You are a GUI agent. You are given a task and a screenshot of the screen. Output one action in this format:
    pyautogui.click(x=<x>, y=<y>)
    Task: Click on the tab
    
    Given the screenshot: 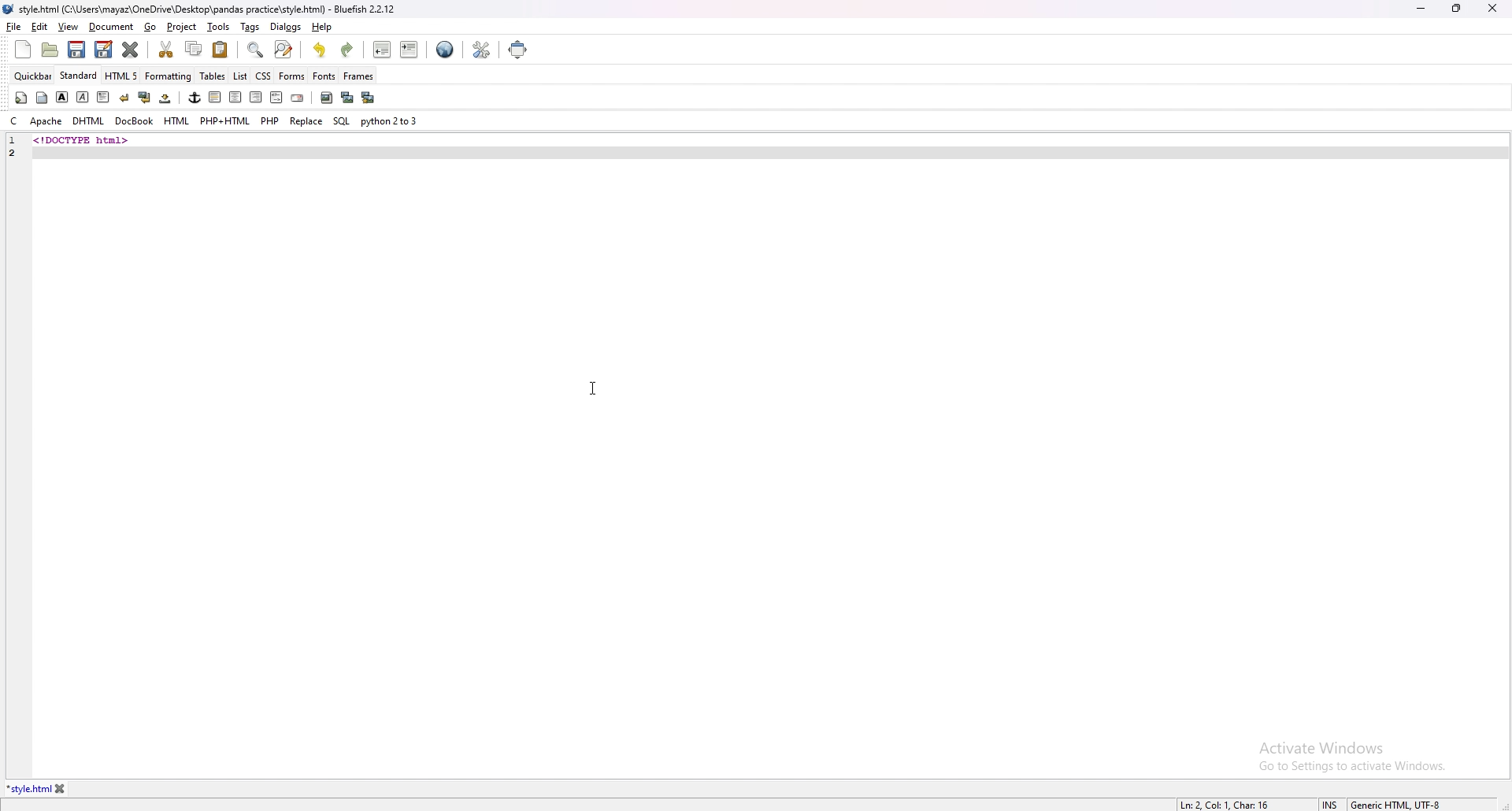 What is the action you would take?
    pyautogui.click(x=28, y=789)
    